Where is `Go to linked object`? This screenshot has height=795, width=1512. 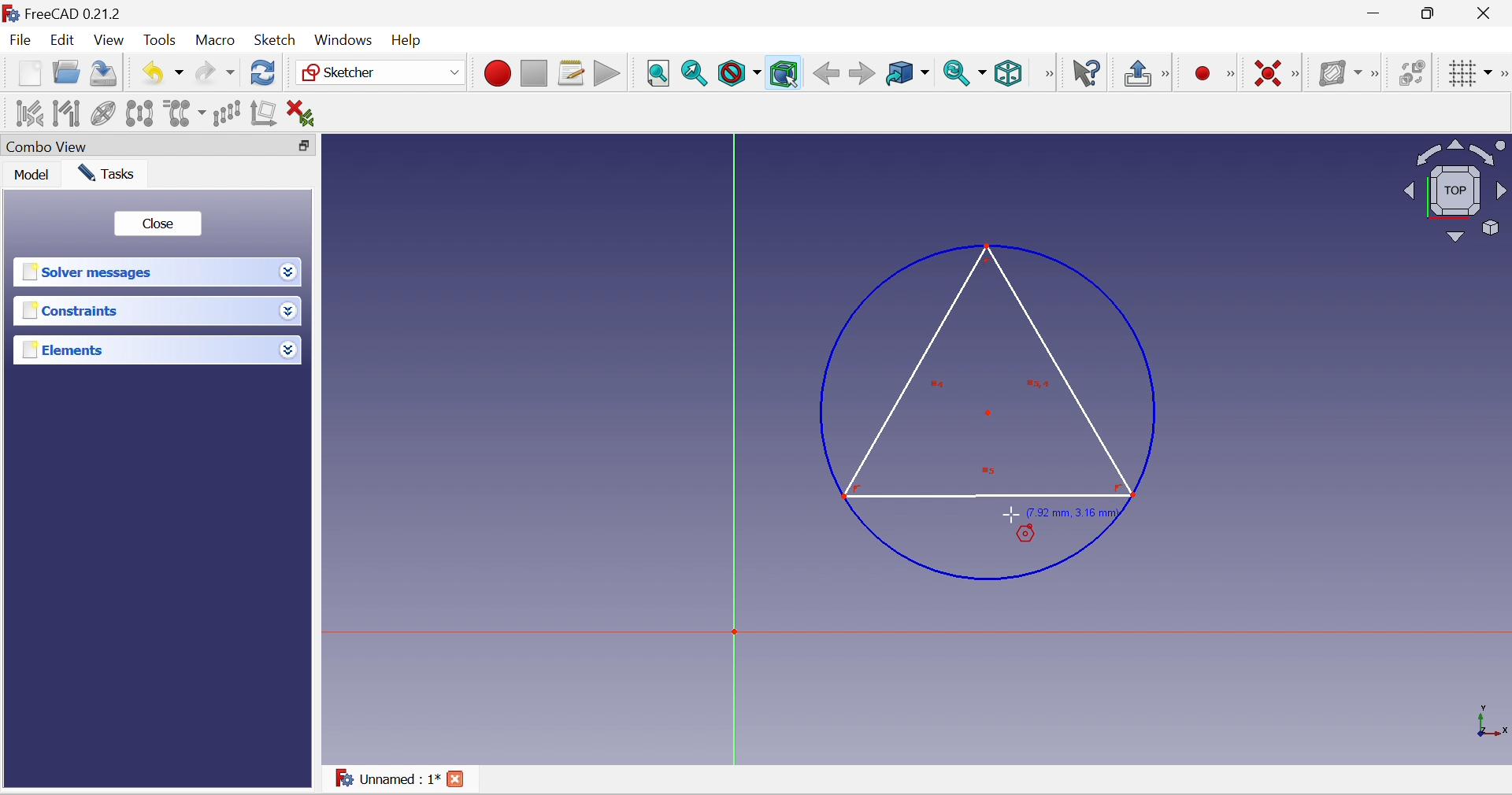 Go to linked object is located at coordinates (908, 74).